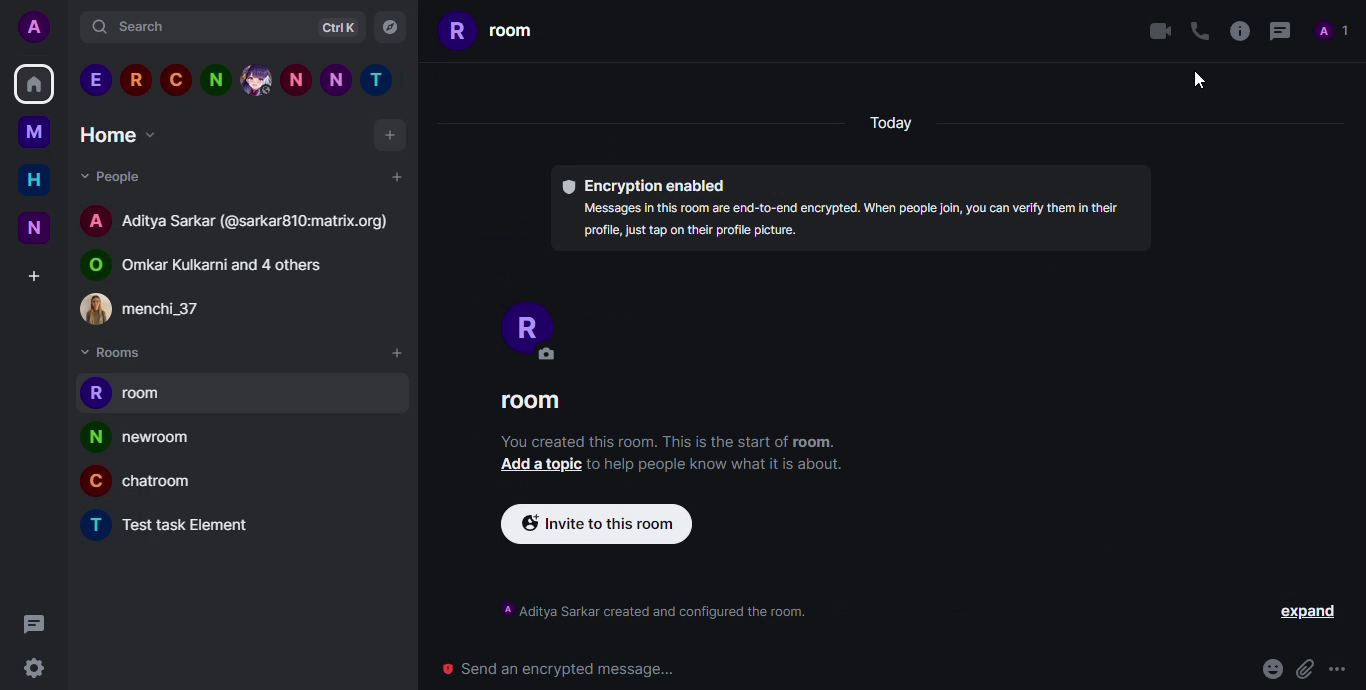  Describe the element at coordinates (258, 224) in the screenshot. I see `people` at that location.